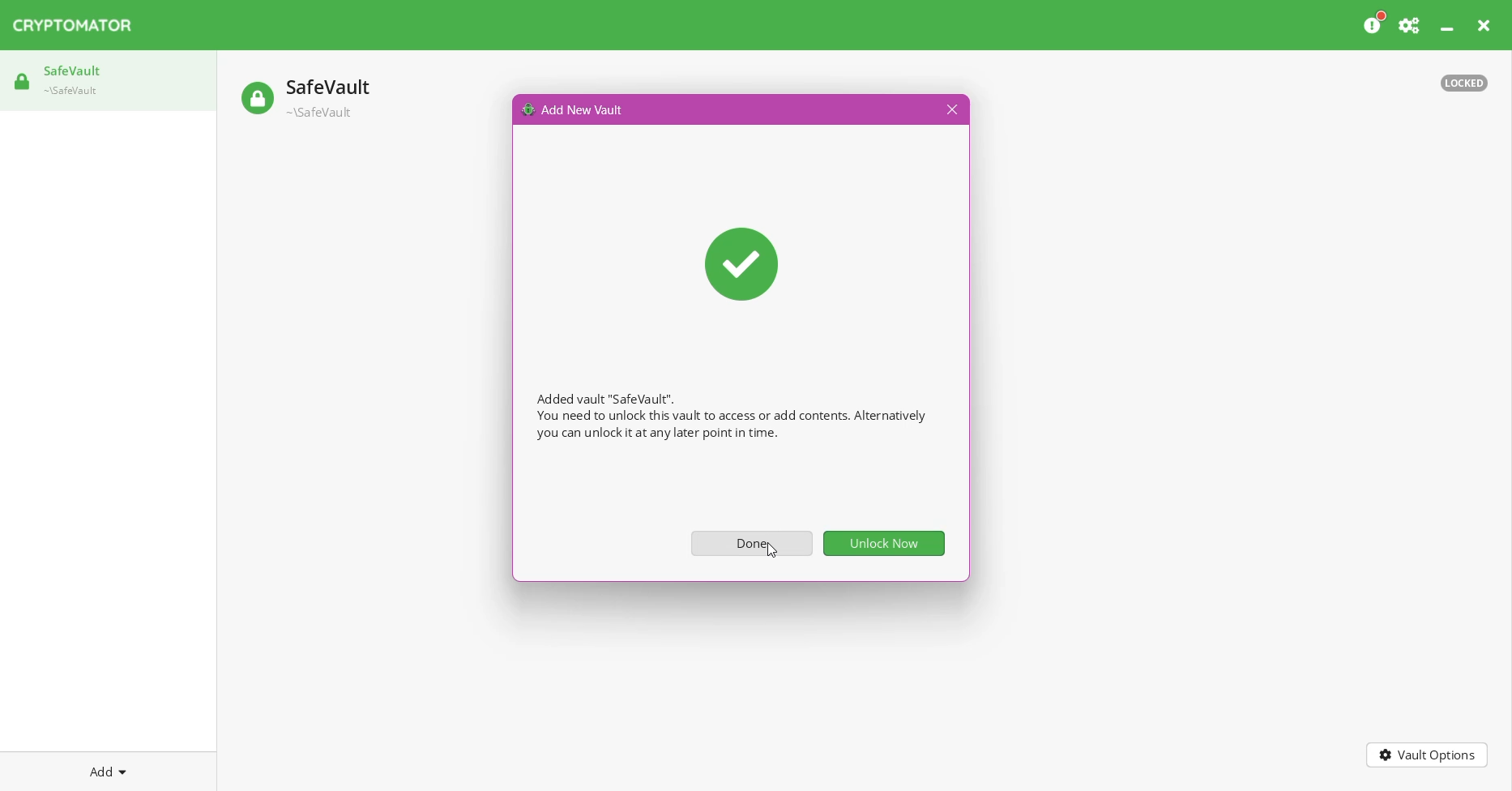 The image size is (1512, 791). I want to click on Minimize, so click(1449, 25).